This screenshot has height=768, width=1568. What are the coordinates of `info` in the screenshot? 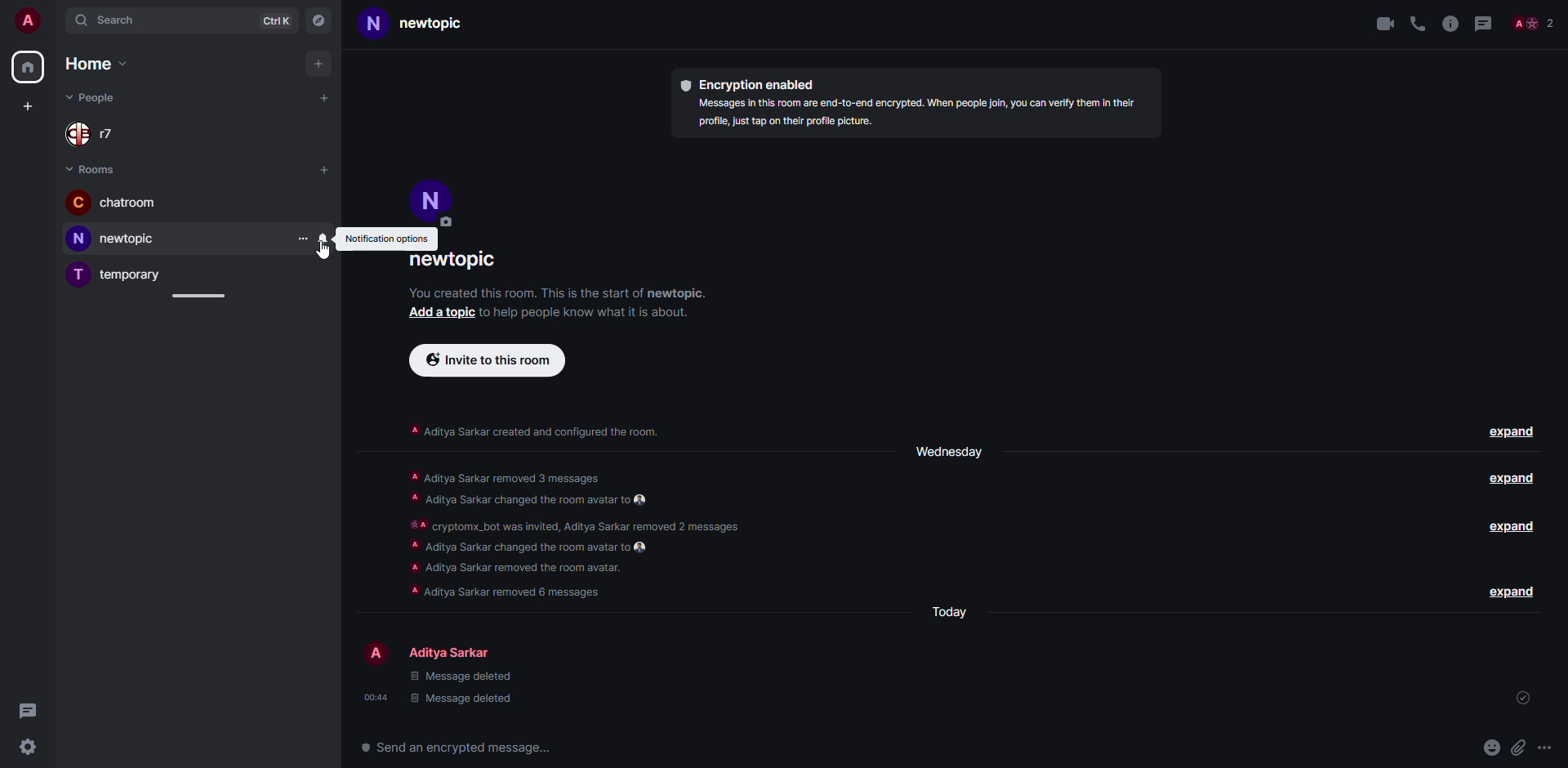 It's located at (559, 292).